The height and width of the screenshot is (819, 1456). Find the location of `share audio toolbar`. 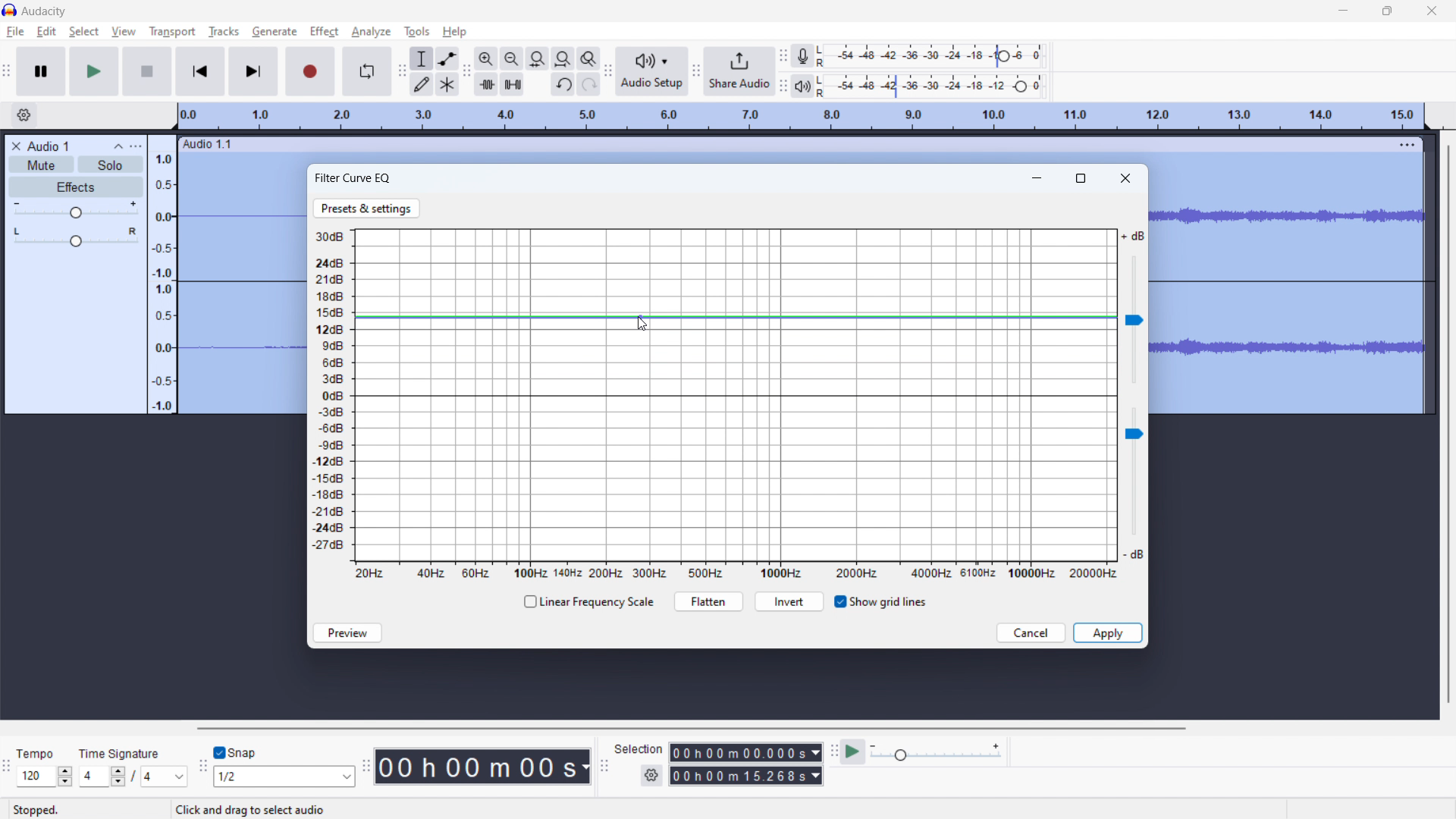

share audio toolbar is located at coordinates (697, 71).